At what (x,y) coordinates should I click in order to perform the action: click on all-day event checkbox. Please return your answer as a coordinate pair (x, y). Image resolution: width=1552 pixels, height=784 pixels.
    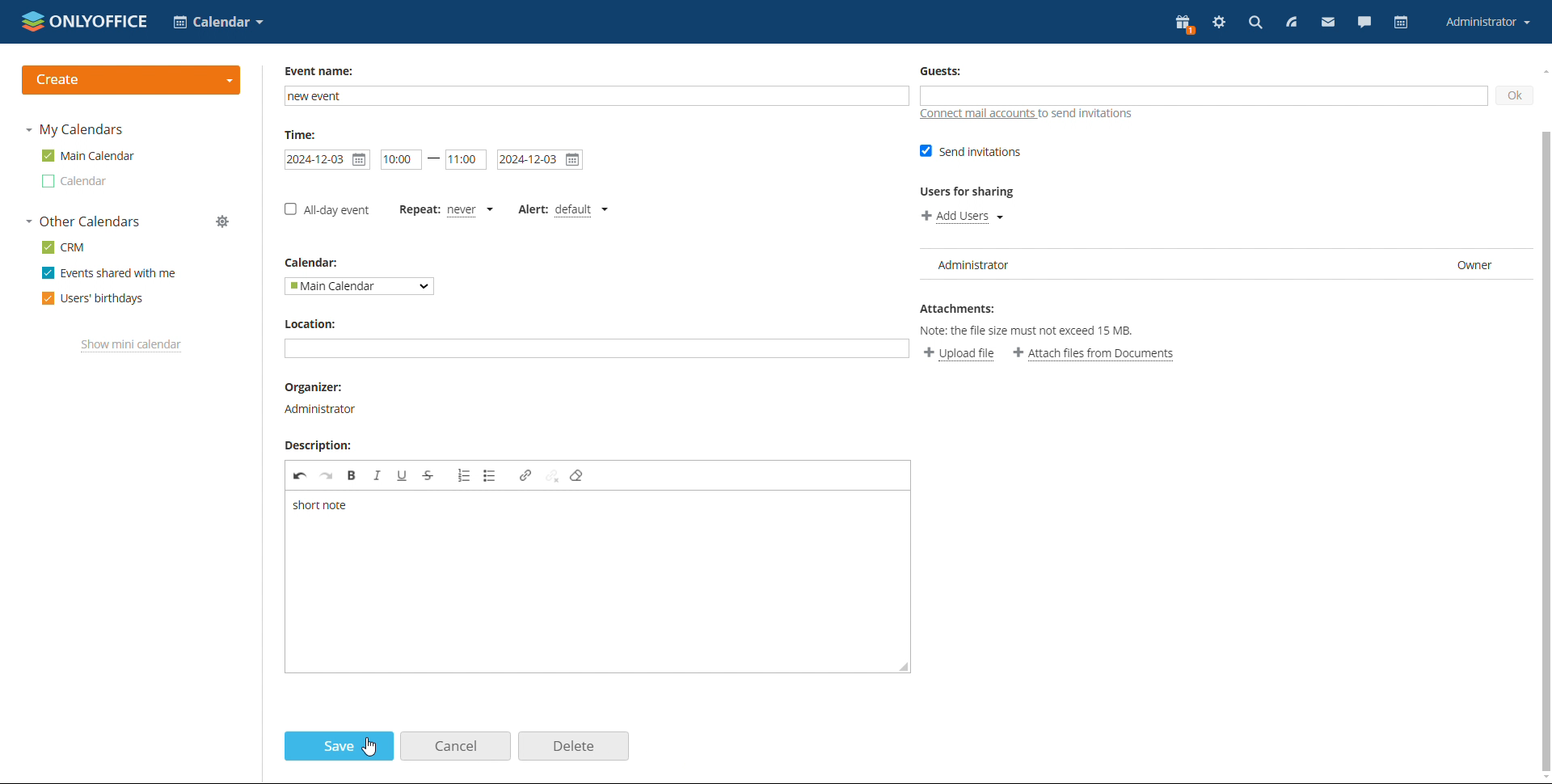
    Looking at the image, I should click on (327, 212).